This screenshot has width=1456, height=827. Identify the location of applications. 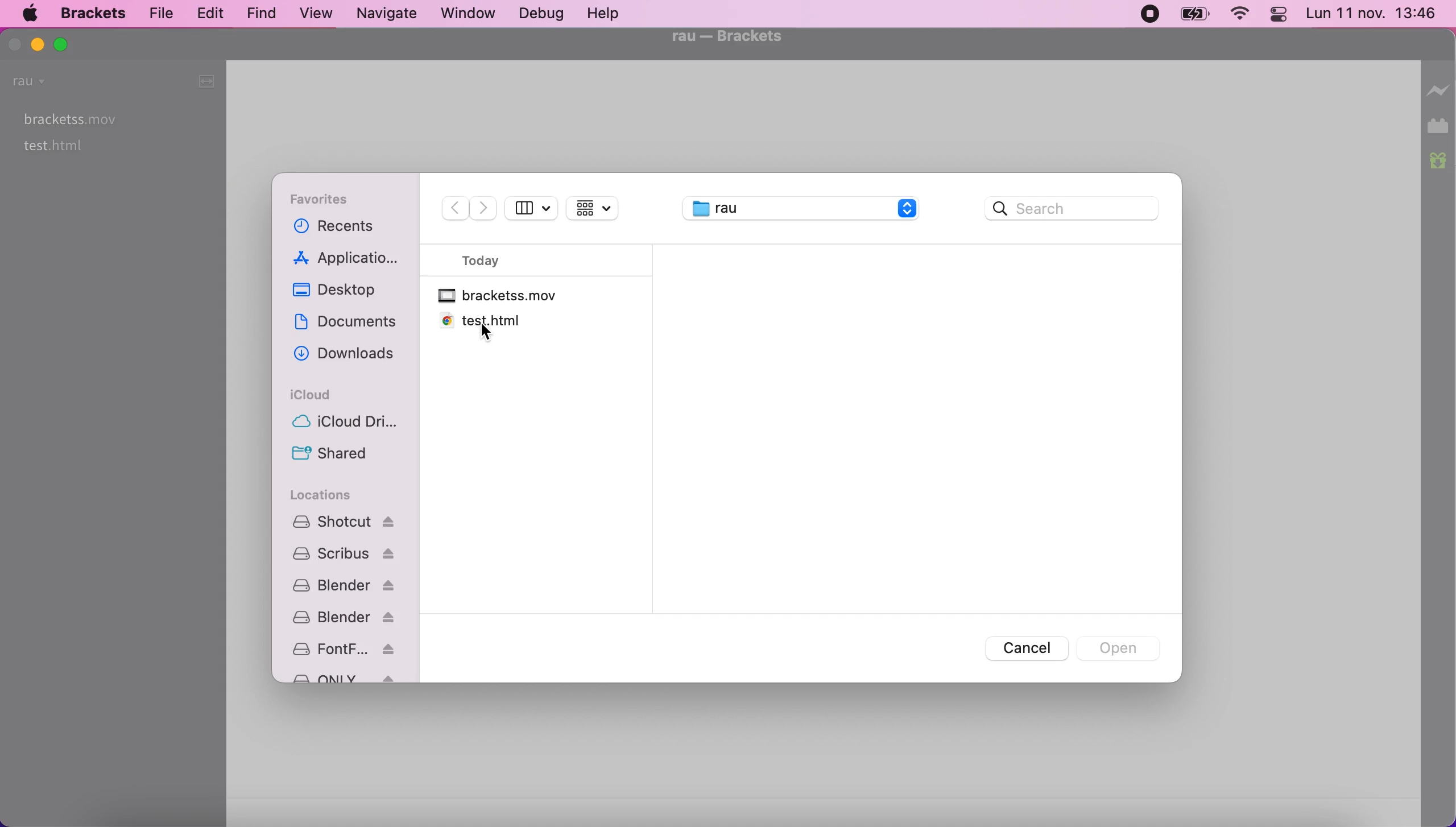
(353, 258).